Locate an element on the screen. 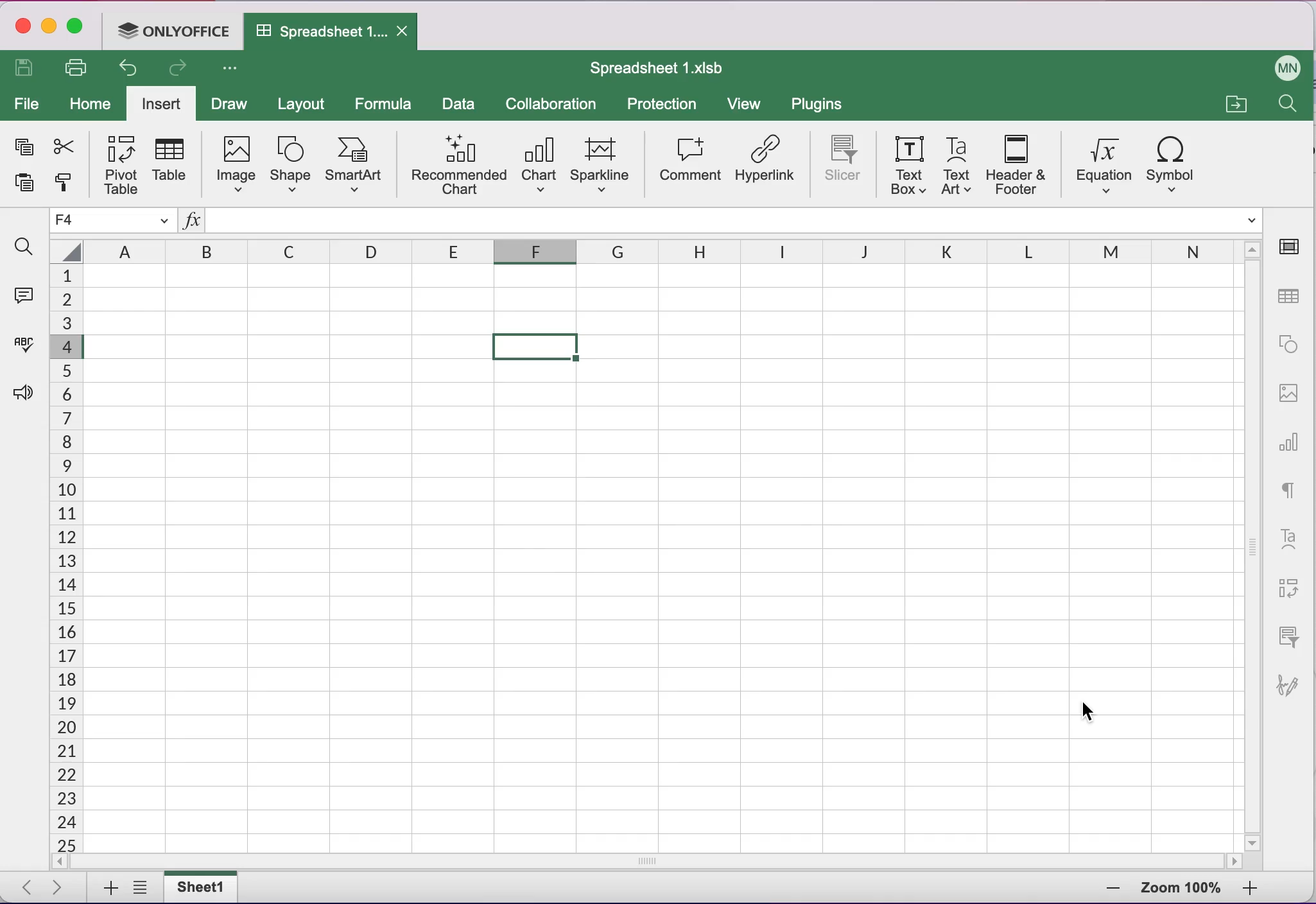 This screenshot has height=904, width=1316. pivot table is located at coordinates (123, 163).